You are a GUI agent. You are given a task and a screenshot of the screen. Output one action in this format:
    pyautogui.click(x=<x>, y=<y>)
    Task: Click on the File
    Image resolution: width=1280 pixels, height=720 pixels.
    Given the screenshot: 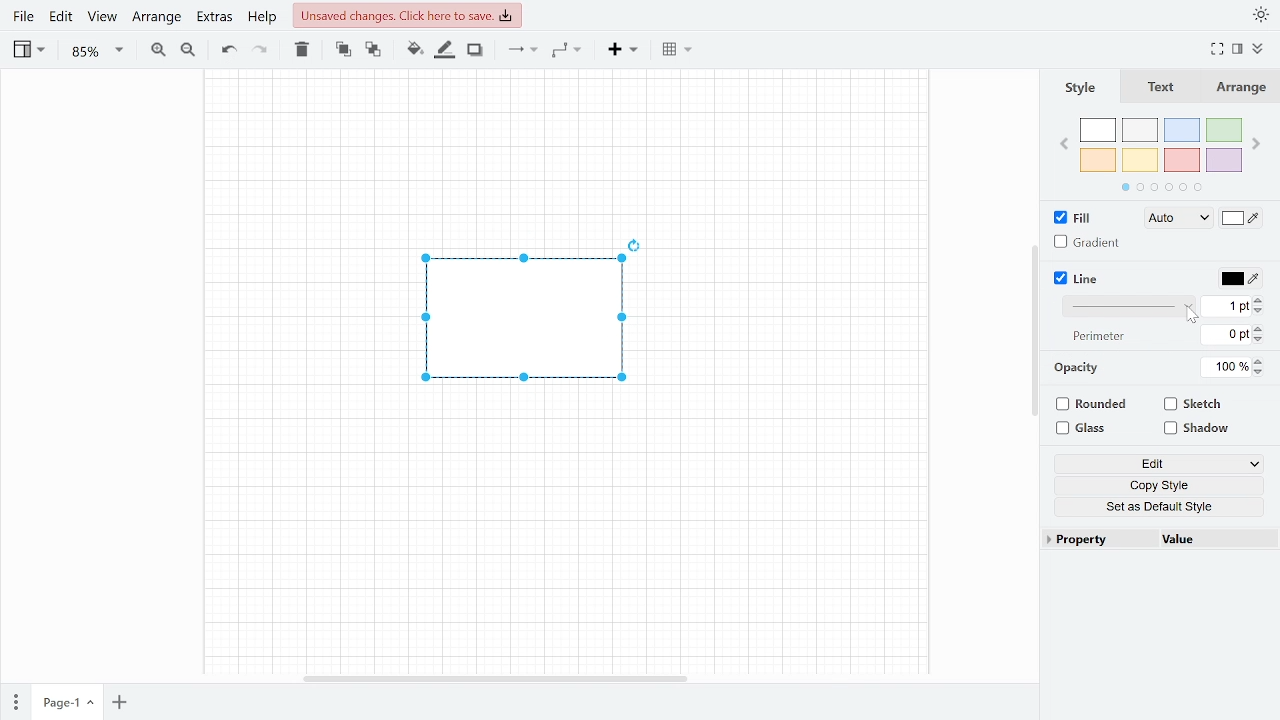 What is the action you would take?
    pyautogui.click(x=24, y=19)
    